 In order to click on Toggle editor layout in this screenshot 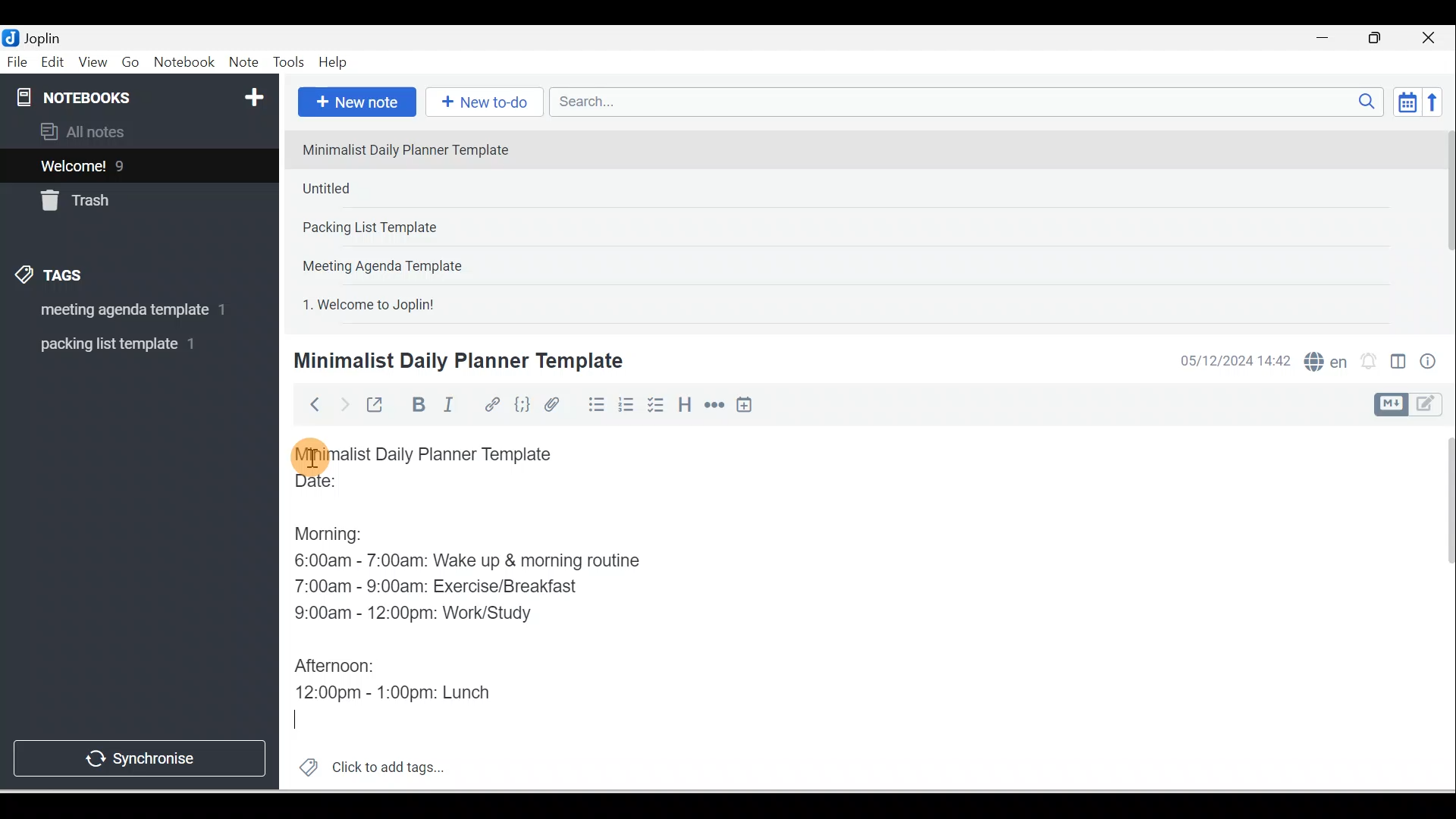, I will do `click(1414, 405)`.